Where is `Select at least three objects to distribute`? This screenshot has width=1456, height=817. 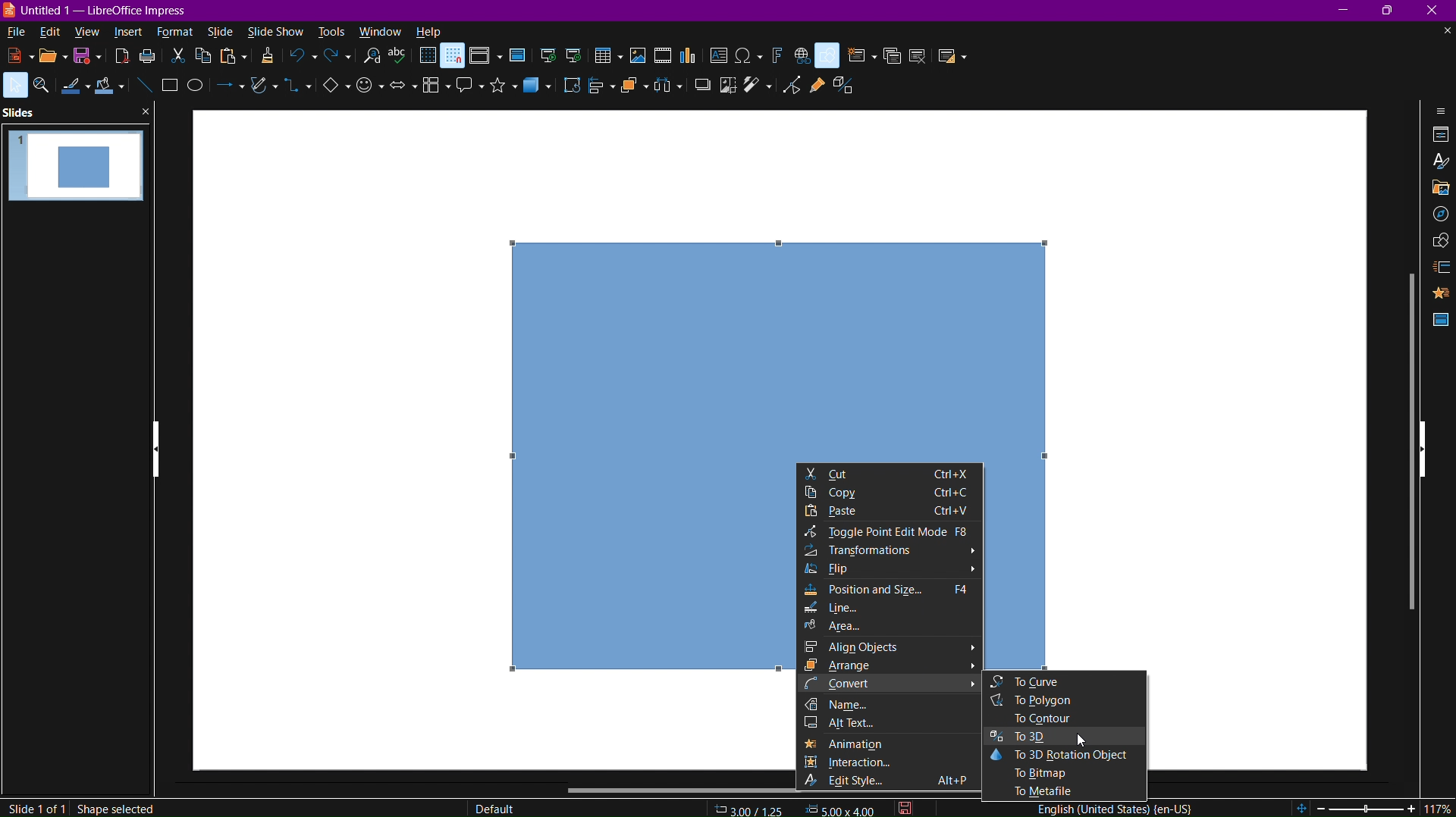
Select at least three objects to distribute is located at coordinates (667, 90).